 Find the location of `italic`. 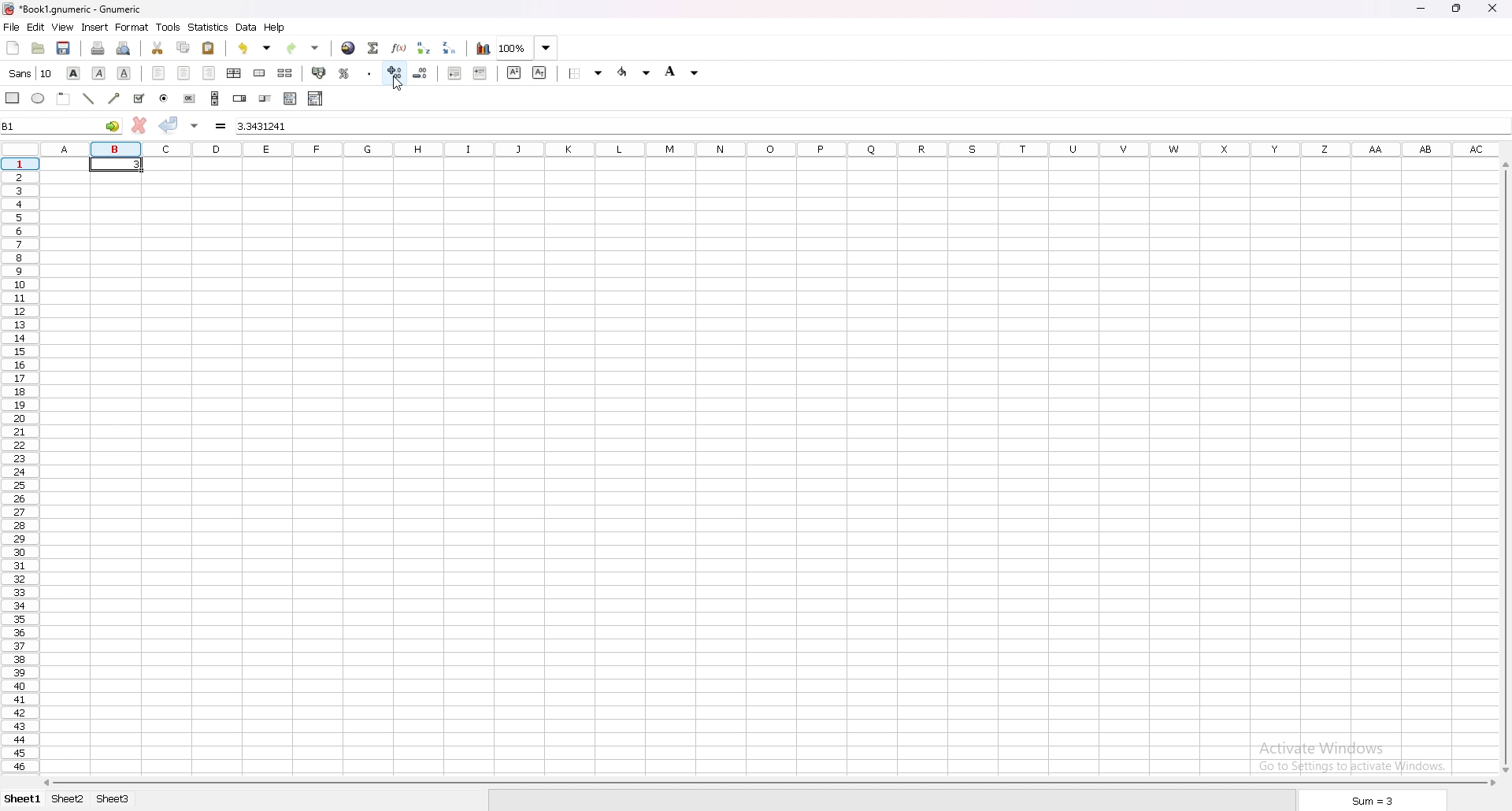

italic is located at coordinates (101, 72).